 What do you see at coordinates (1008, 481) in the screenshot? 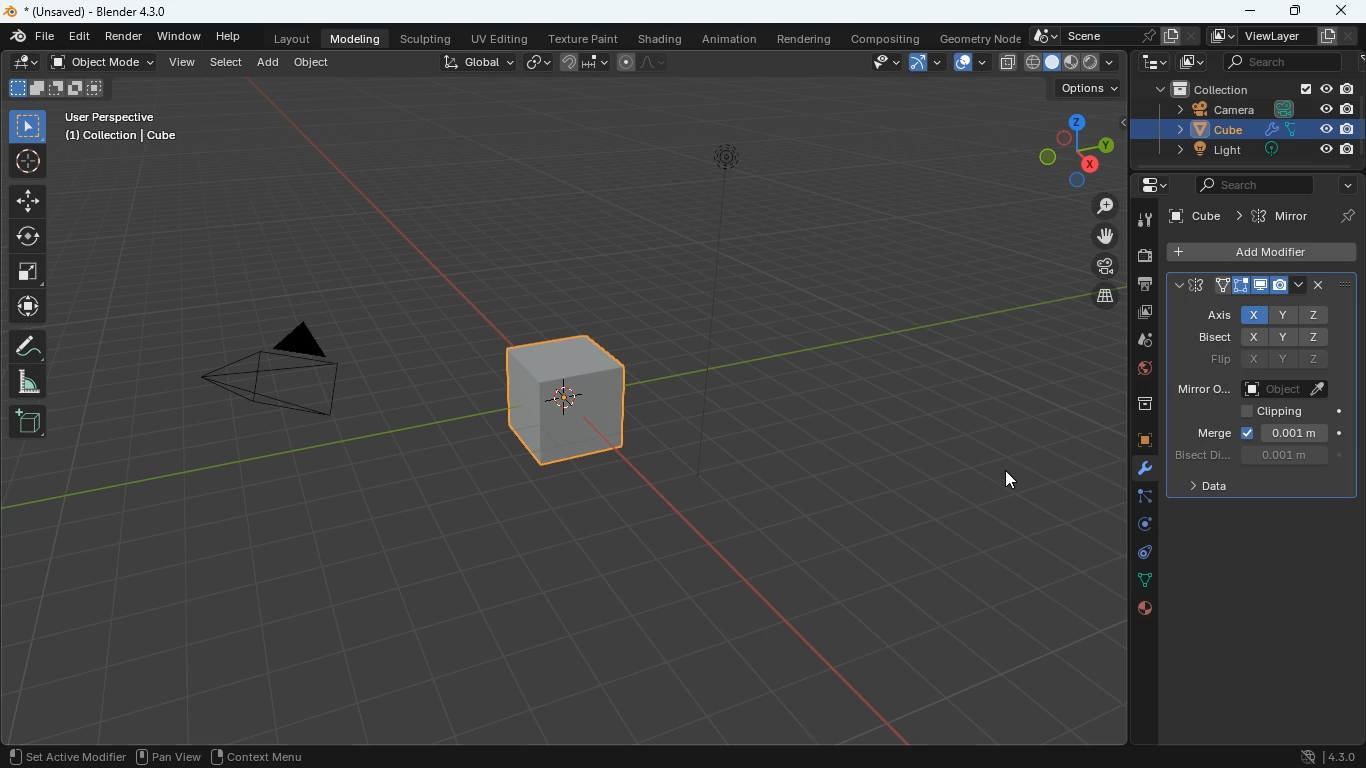
I see `cursor` at bounding box center [1008, 481].